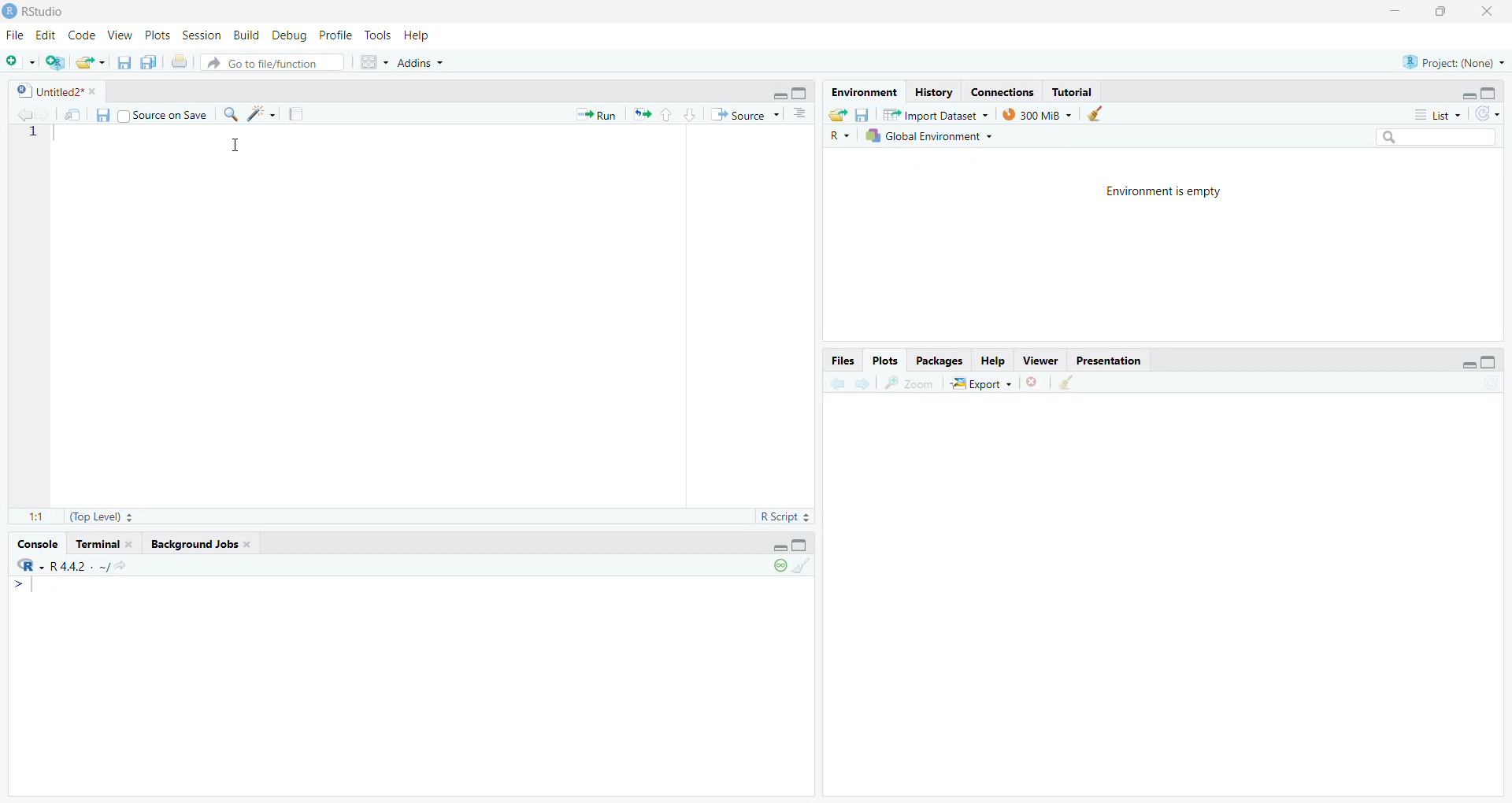 This screenshot has width=1512, height=803. What do you see at coordinates (598, 116) in the screenshot?
I see ` Run` at bounding box center [598, 116].